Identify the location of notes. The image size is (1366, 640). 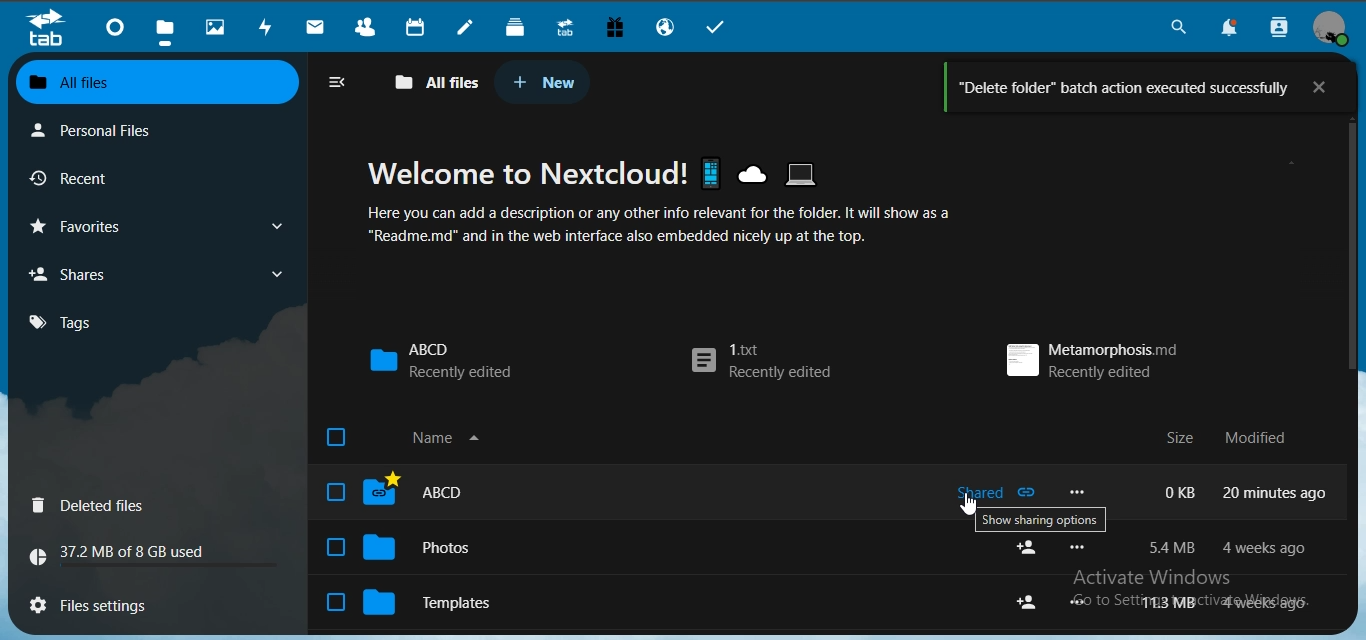
(410, 549).